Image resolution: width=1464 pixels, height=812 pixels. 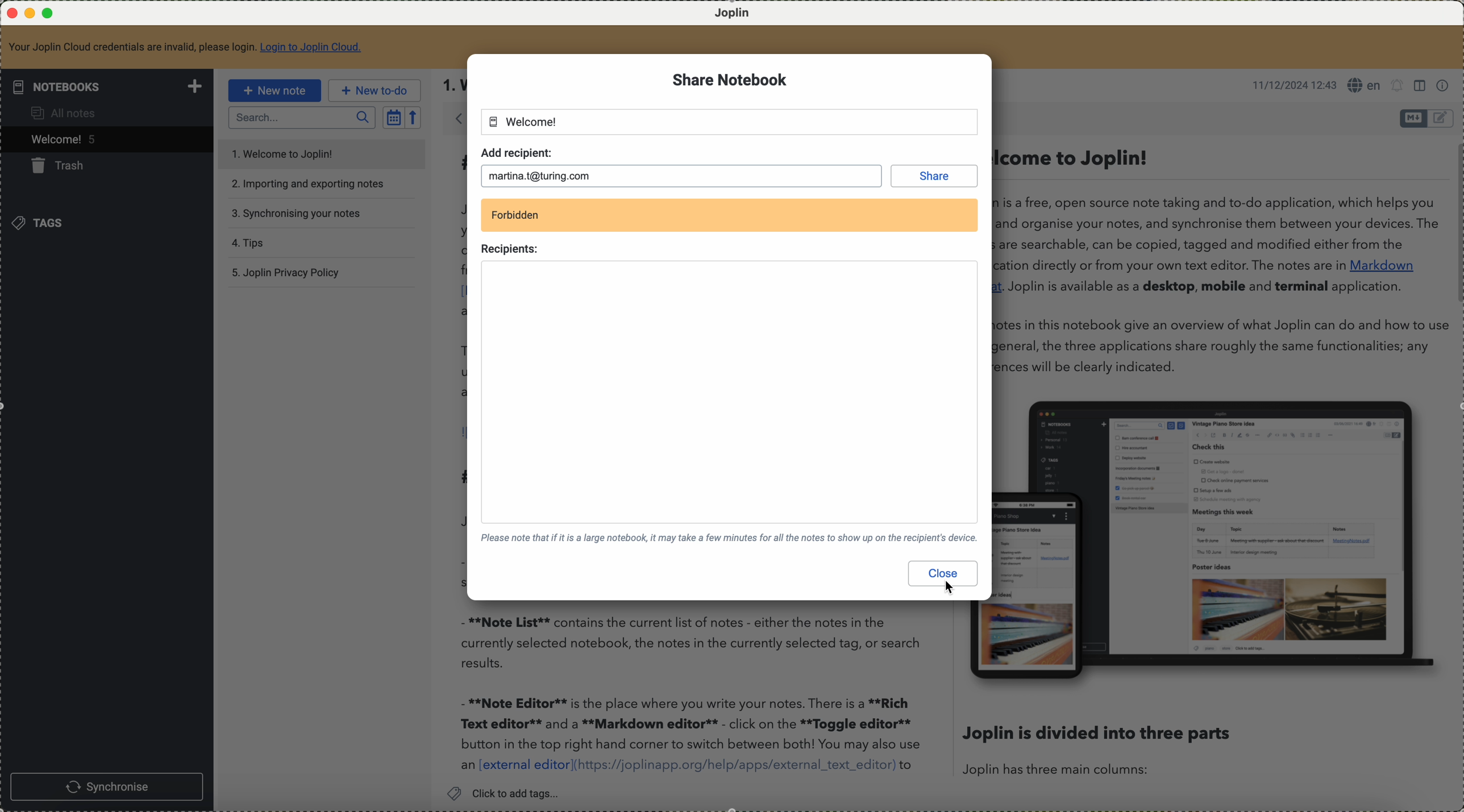 What do you see at coordinates (45, 224) in the screenshot?
I see `tags` at bounding box center [45, 224].